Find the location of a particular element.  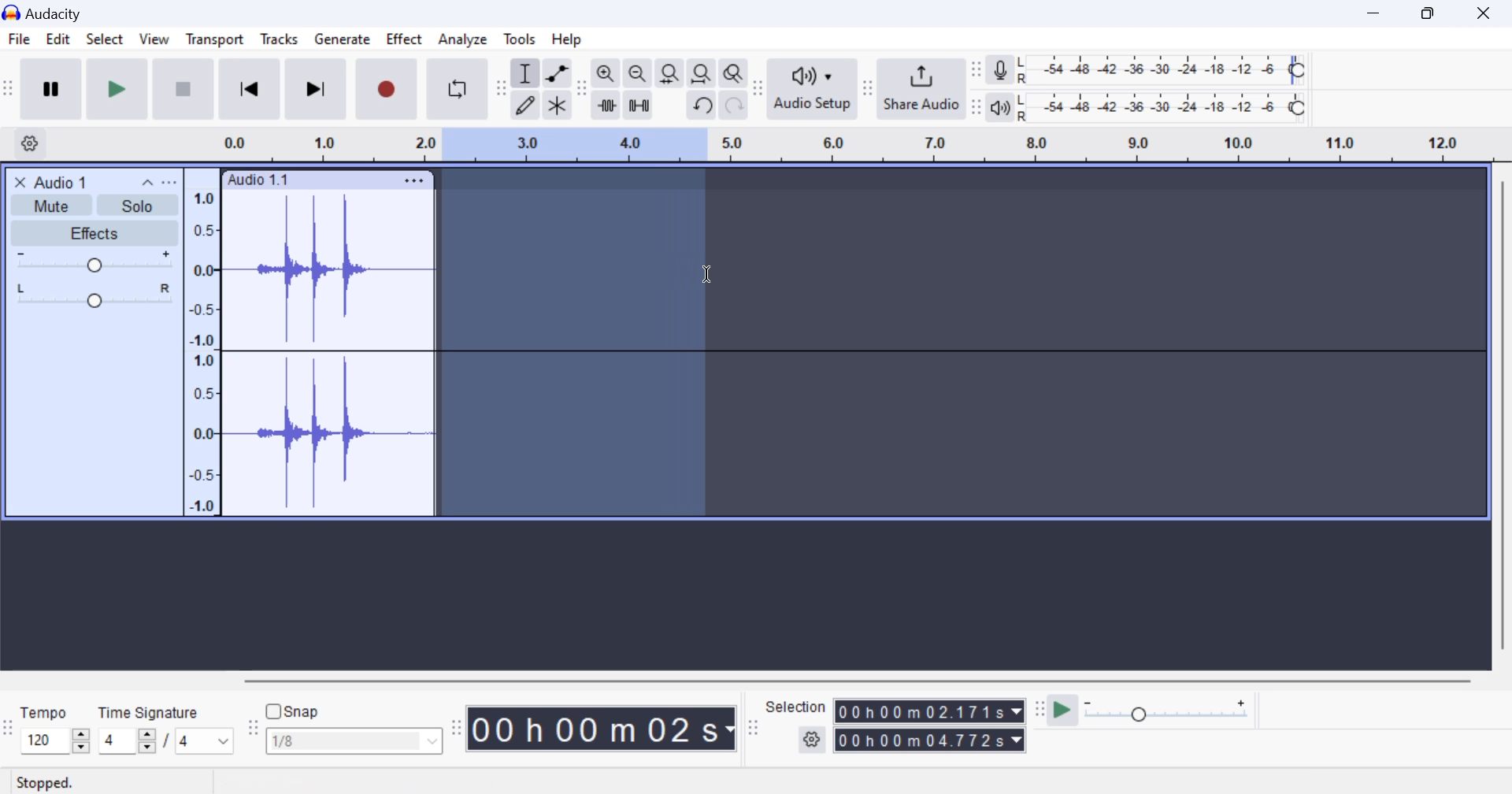

Max time signature options is located at coordinates (205, 742).